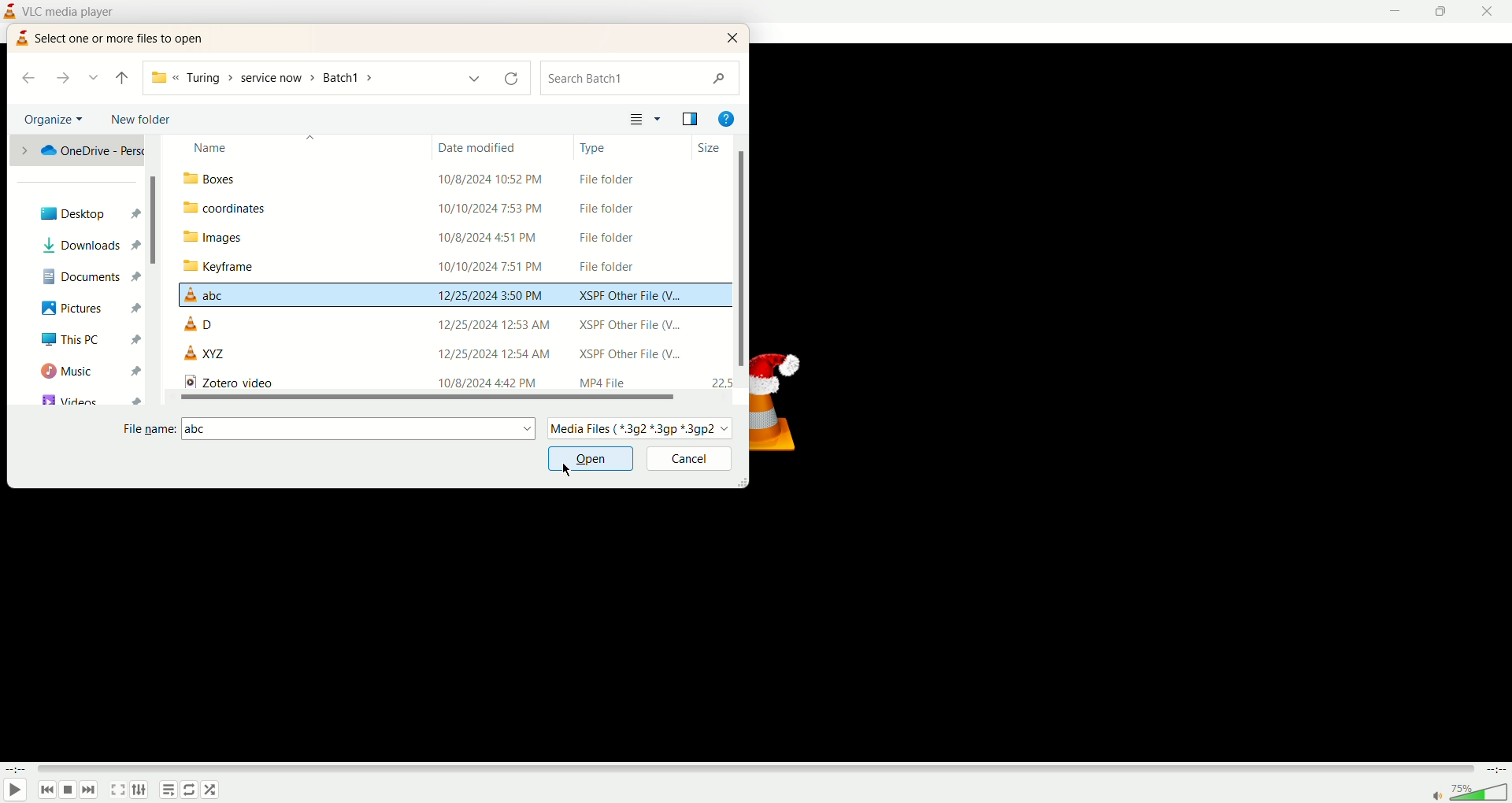  What do you see at coordinates (168, 790) in the screenshot?
I see `playlist` at bounding box center [168, 790].